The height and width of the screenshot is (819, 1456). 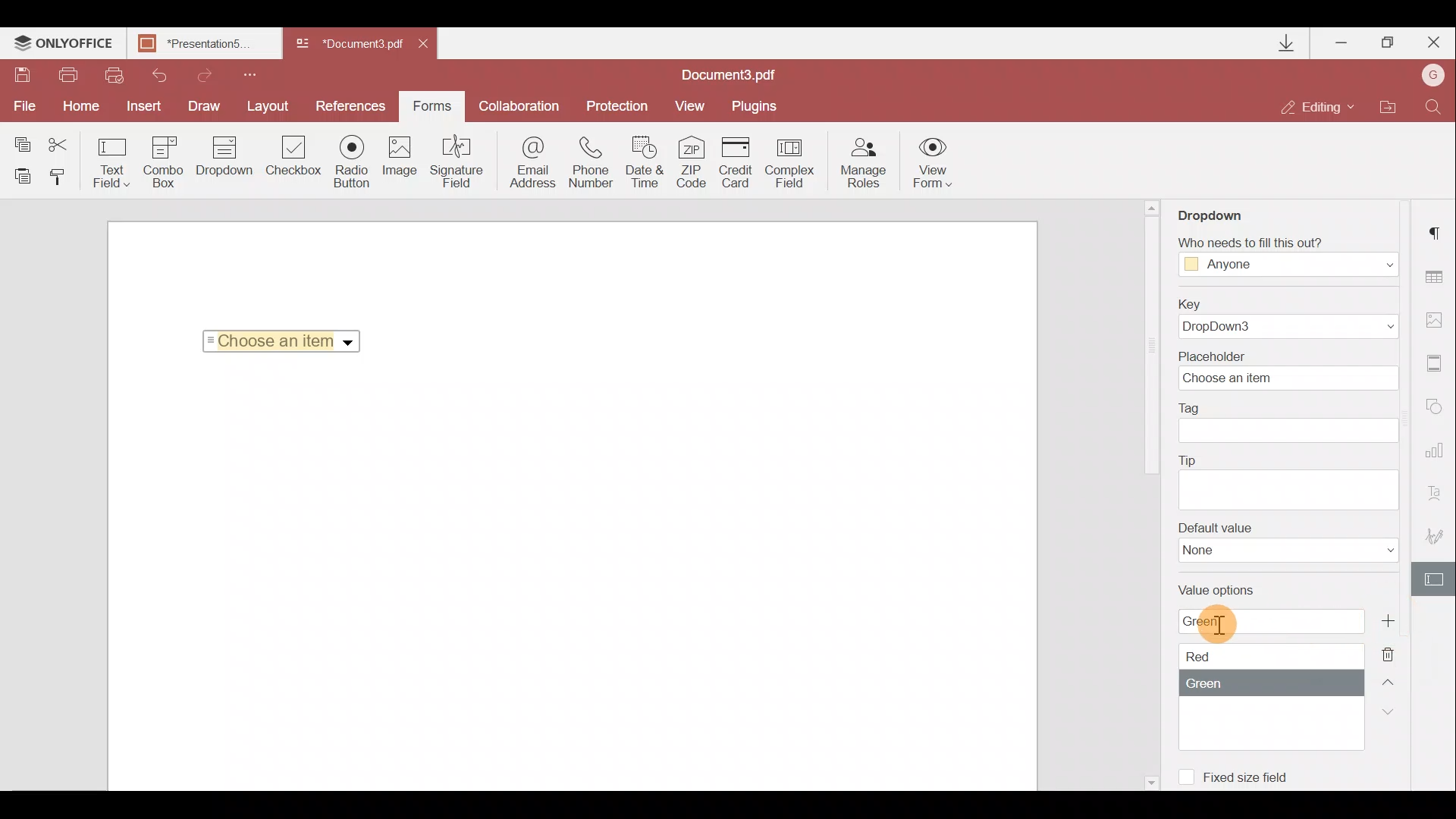 I want to click on Document name, so click(x=347, y=45).